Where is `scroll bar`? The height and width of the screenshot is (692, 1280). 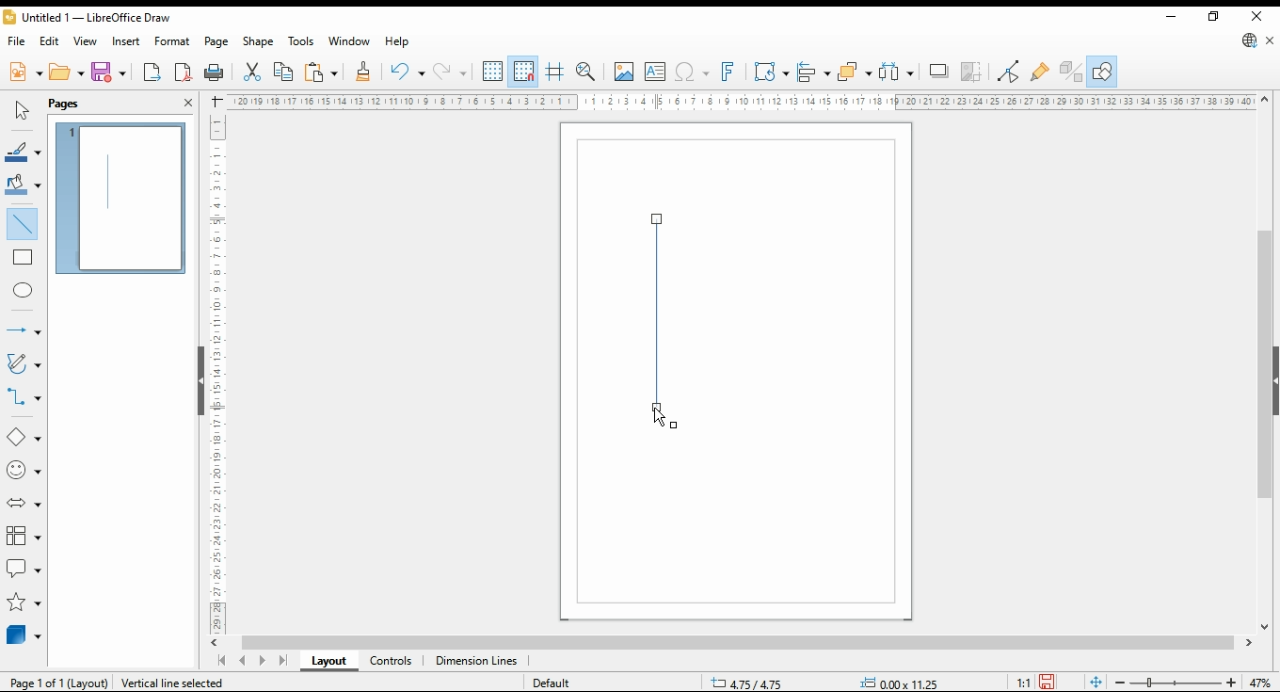 scroll bar is located at coordinates (193, 379).